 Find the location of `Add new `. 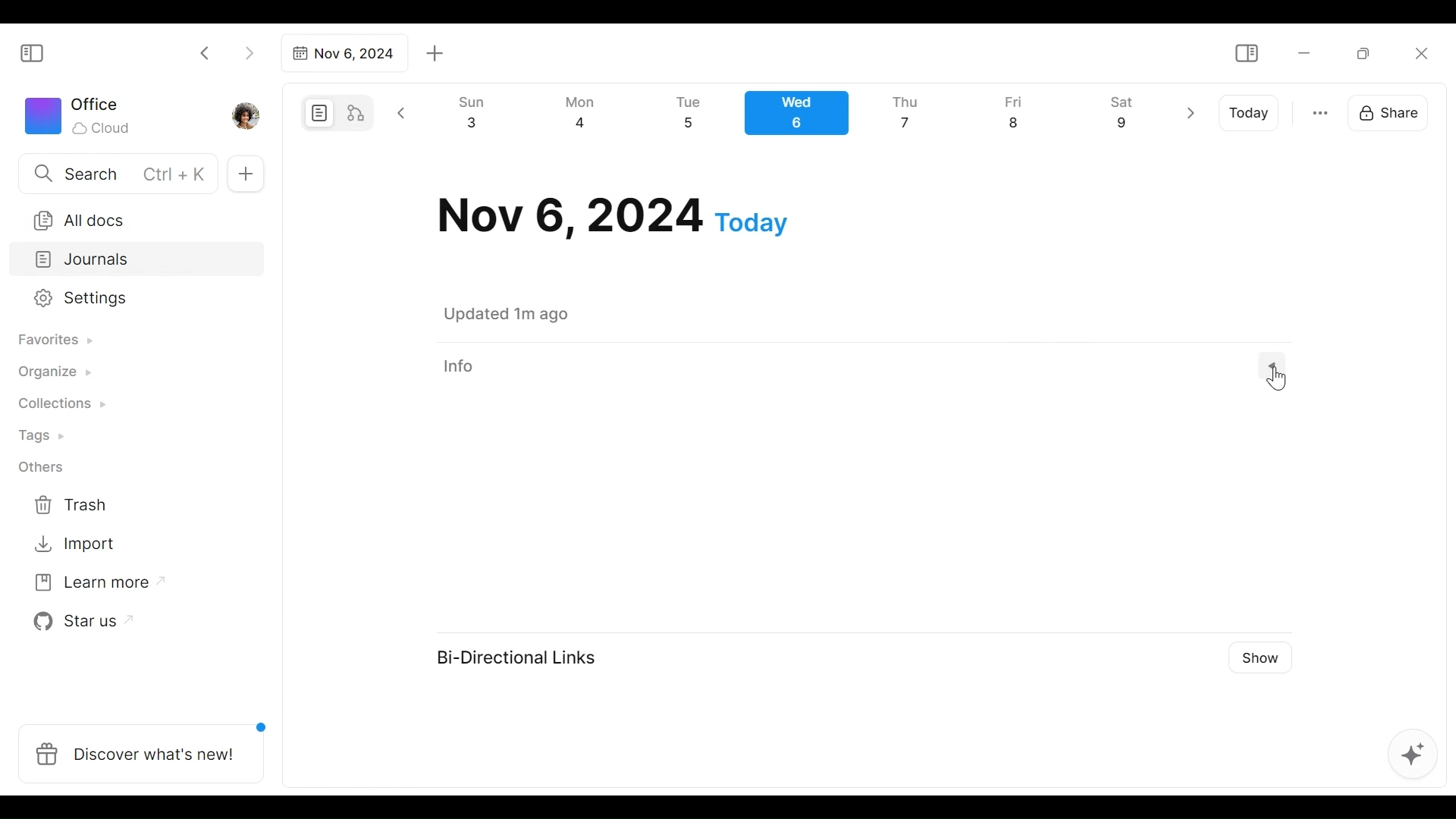

Add new  is located at coordinates (244, 174).